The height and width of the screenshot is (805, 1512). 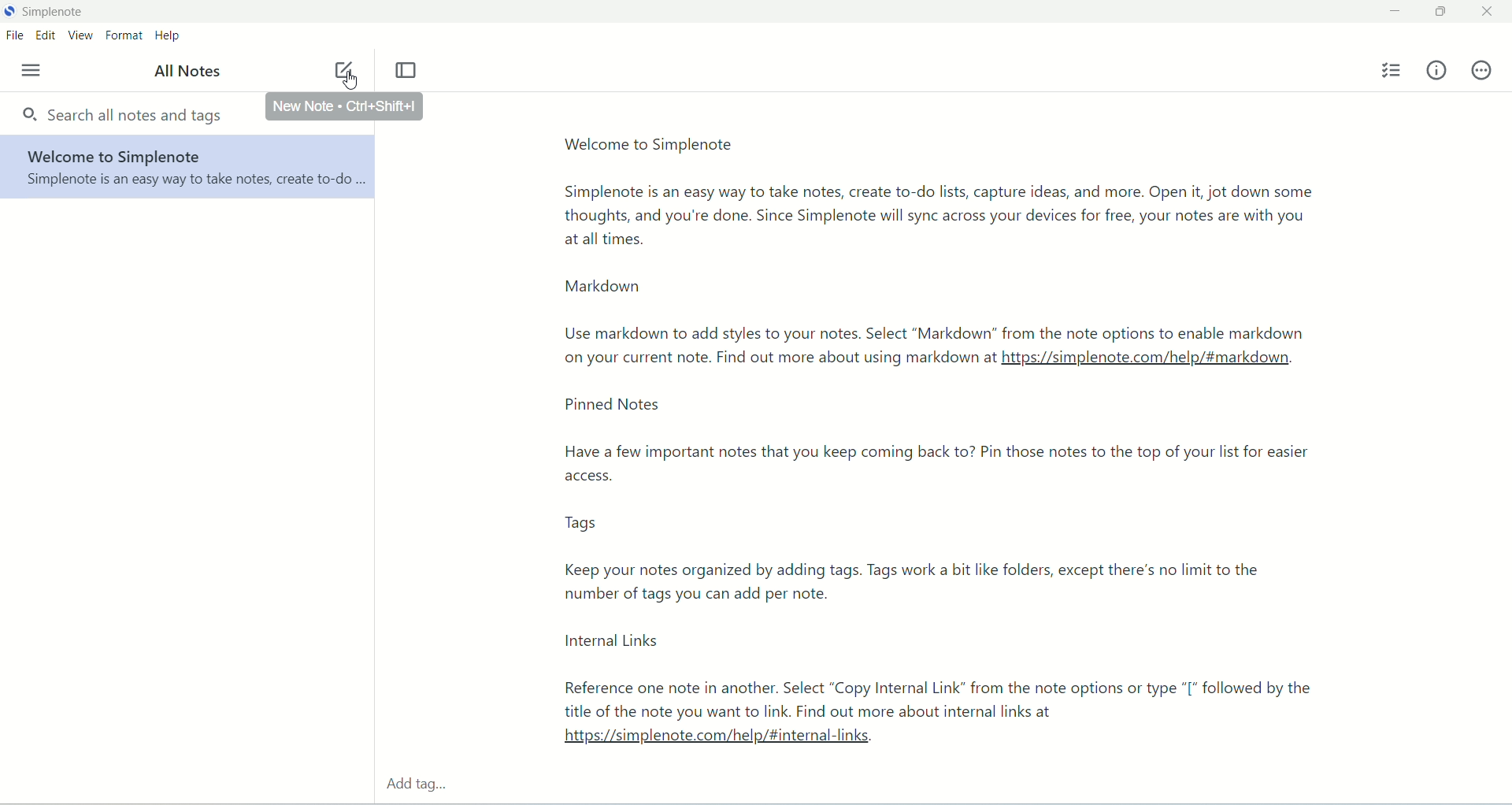 What do you see at coordinates (407, 72) in the screenshot?
I see `toggle focus mode` at bounding box center [407, 72].